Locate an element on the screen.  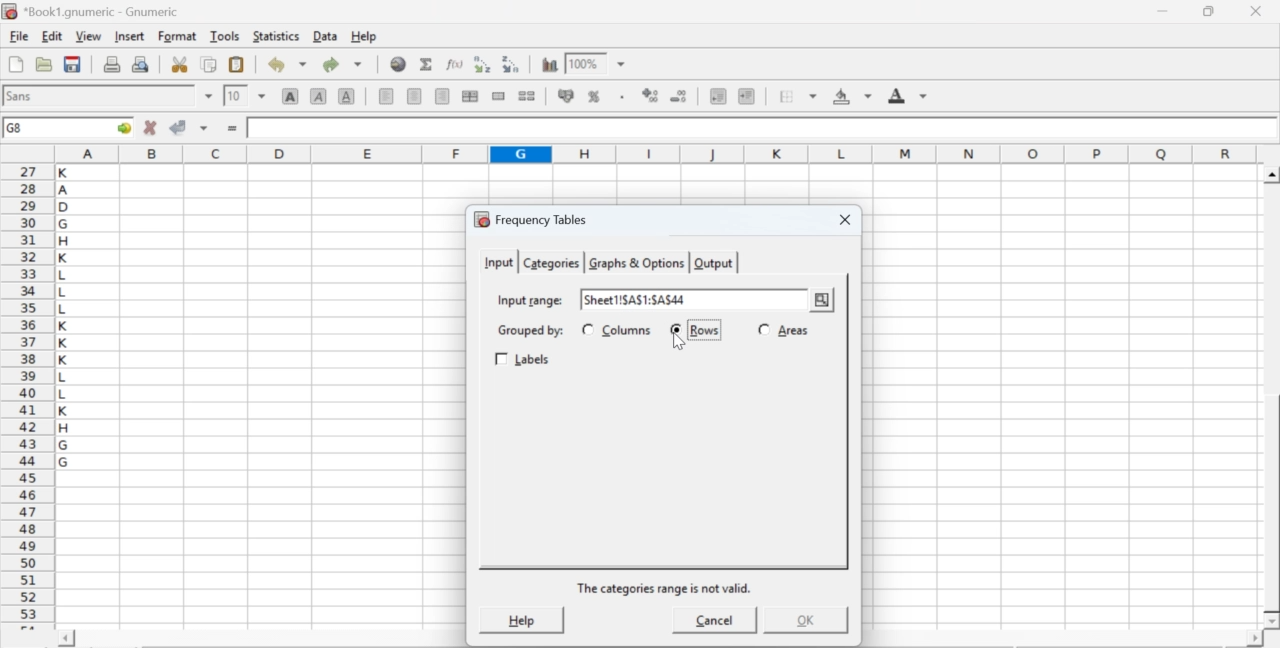
restore down is located at coordinates (1210, 12).